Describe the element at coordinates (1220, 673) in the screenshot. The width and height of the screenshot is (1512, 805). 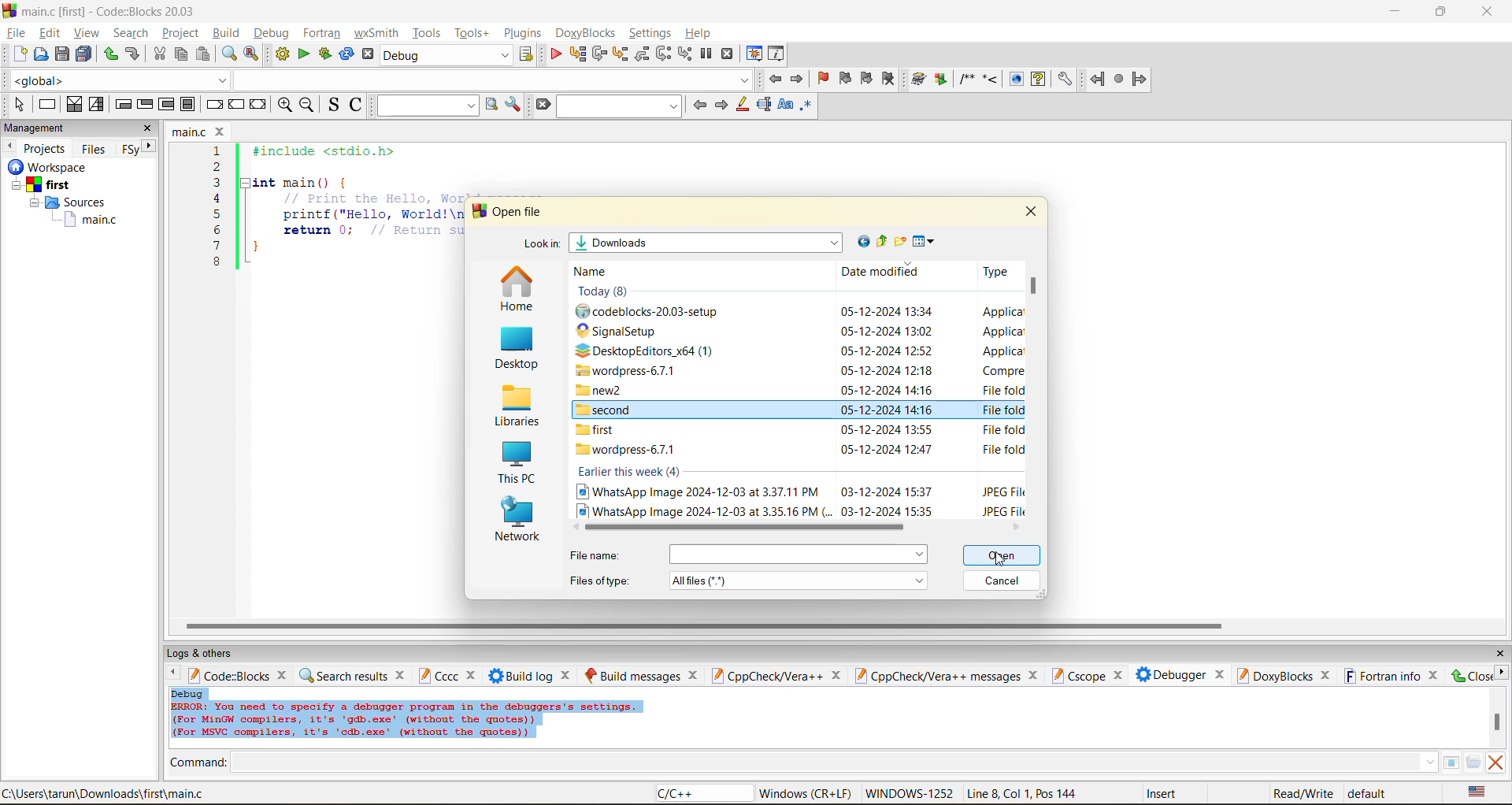
I see `close` at that location.